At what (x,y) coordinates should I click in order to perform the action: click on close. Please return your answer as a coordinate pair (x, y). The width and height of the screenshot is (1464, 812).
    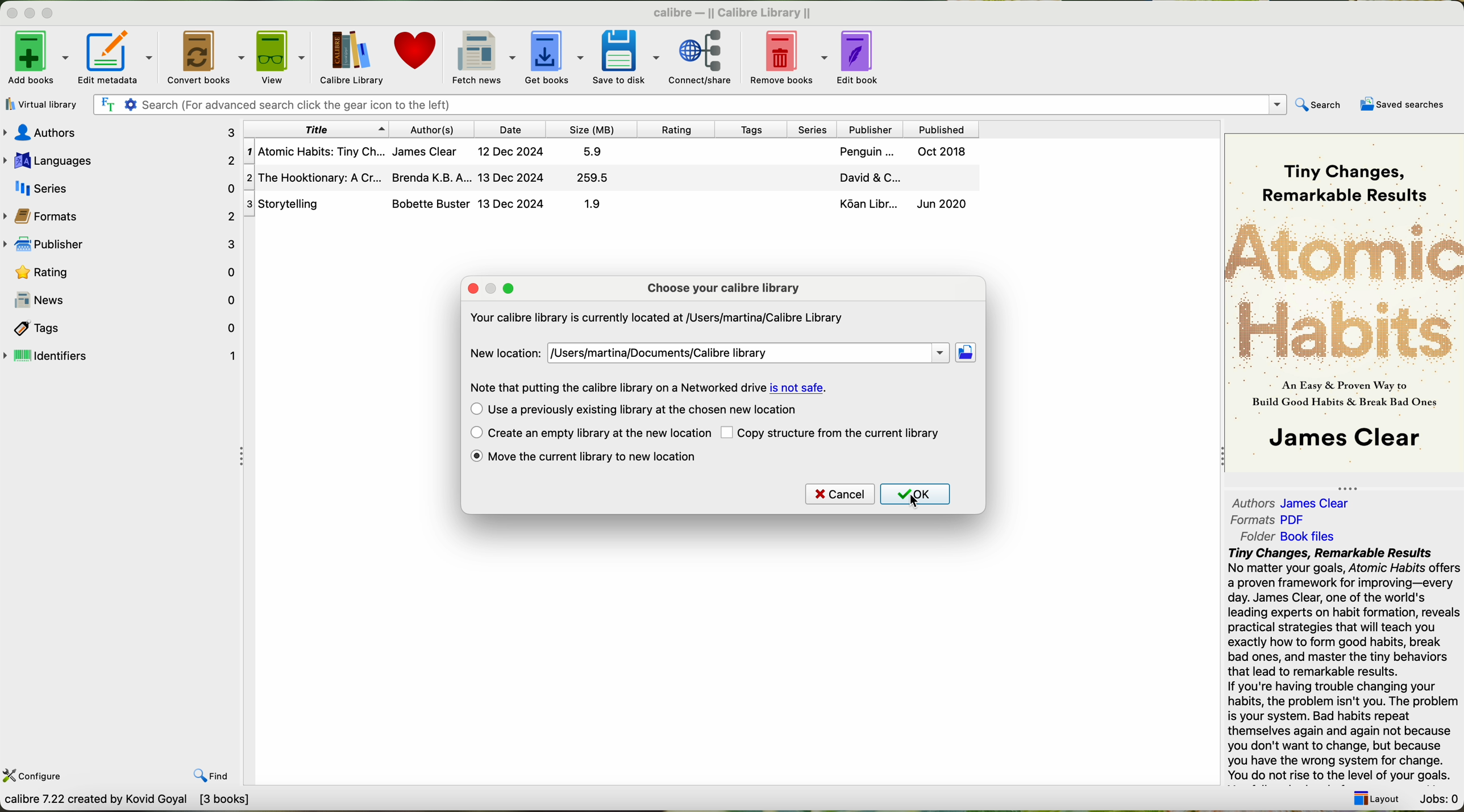
    Looking at the image, I should click on (472, 289).